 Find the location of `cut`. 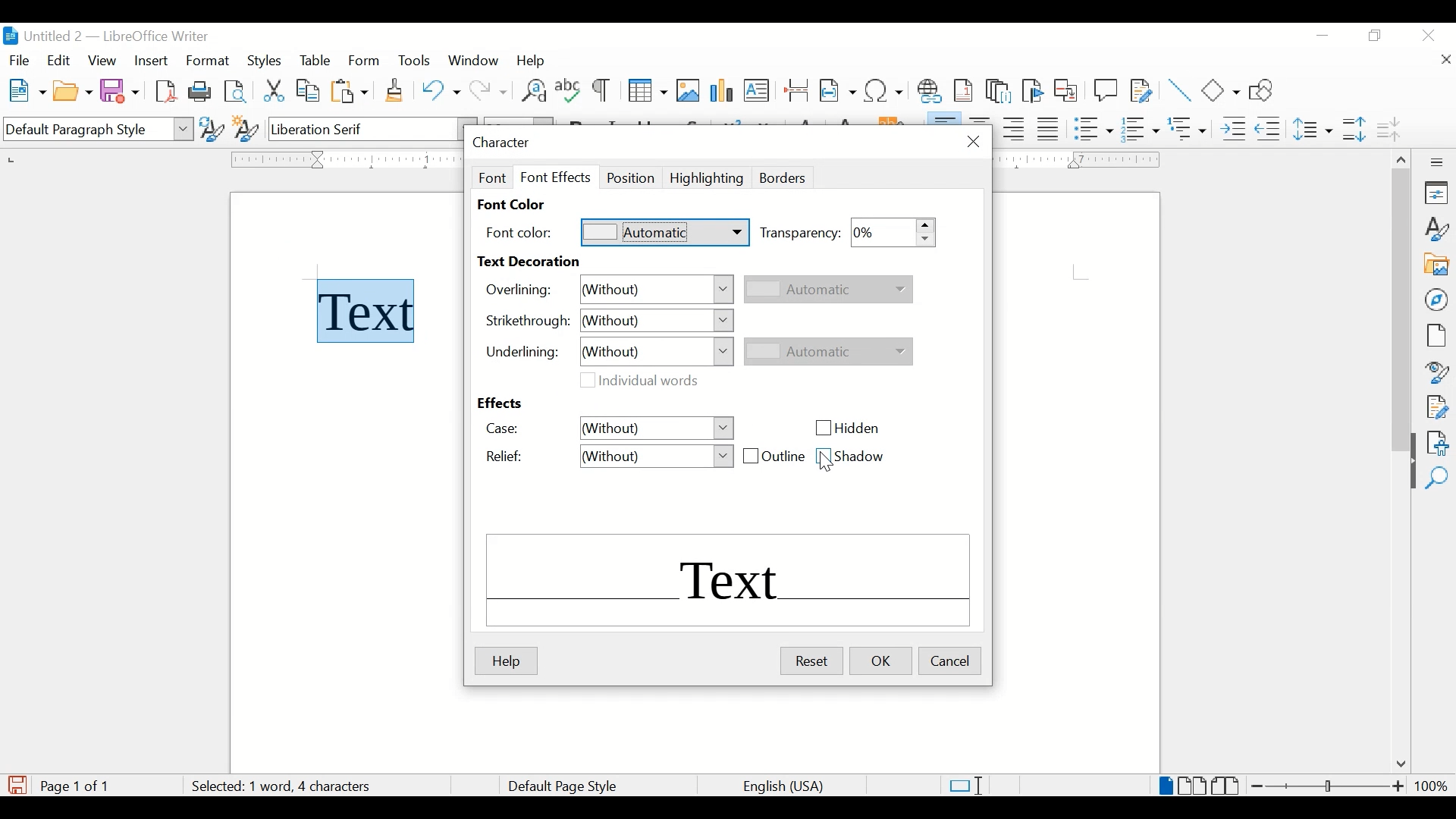

cut is located at coordinates (275, 90).